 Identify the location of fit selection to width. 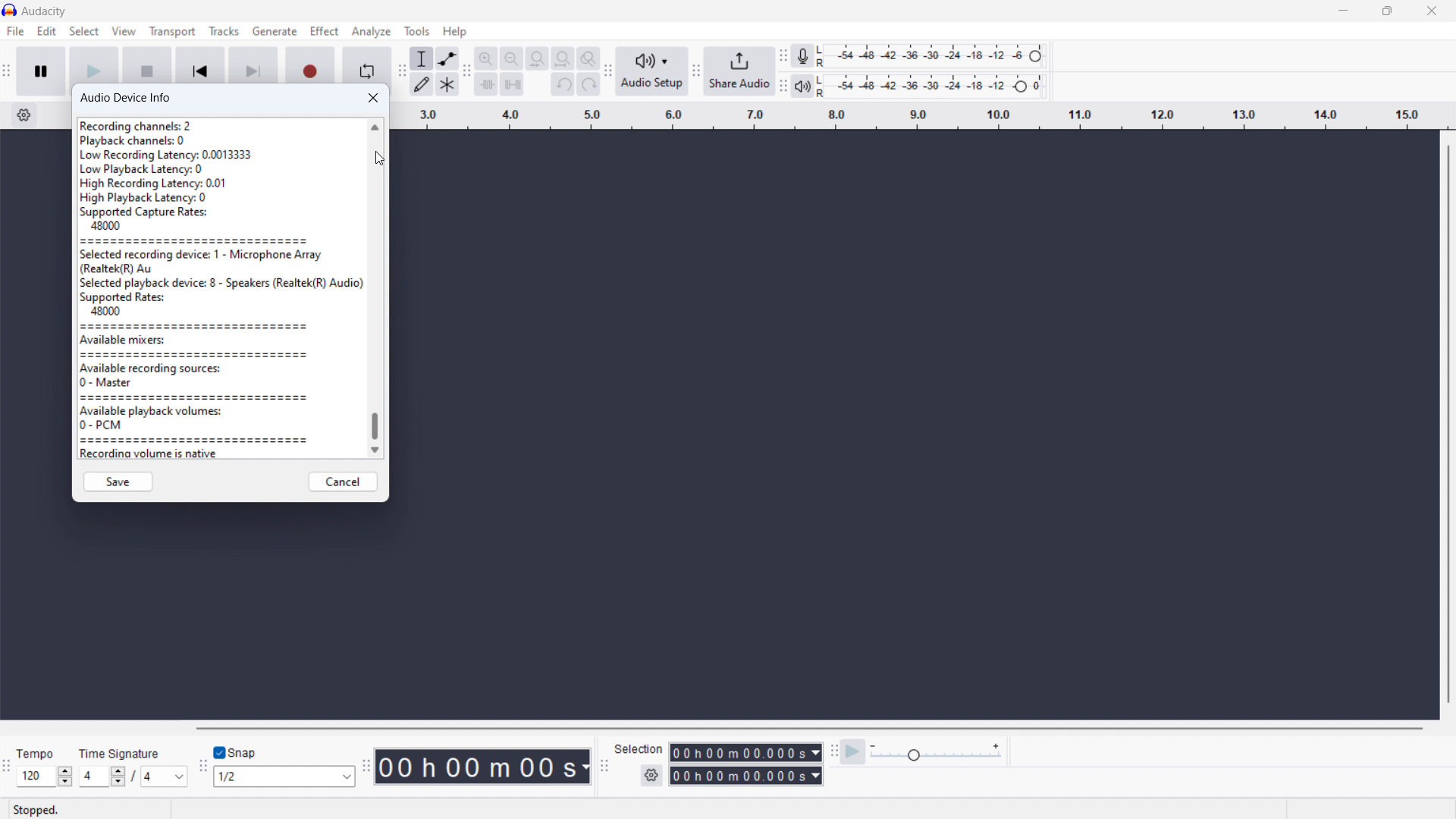
(537, 58).